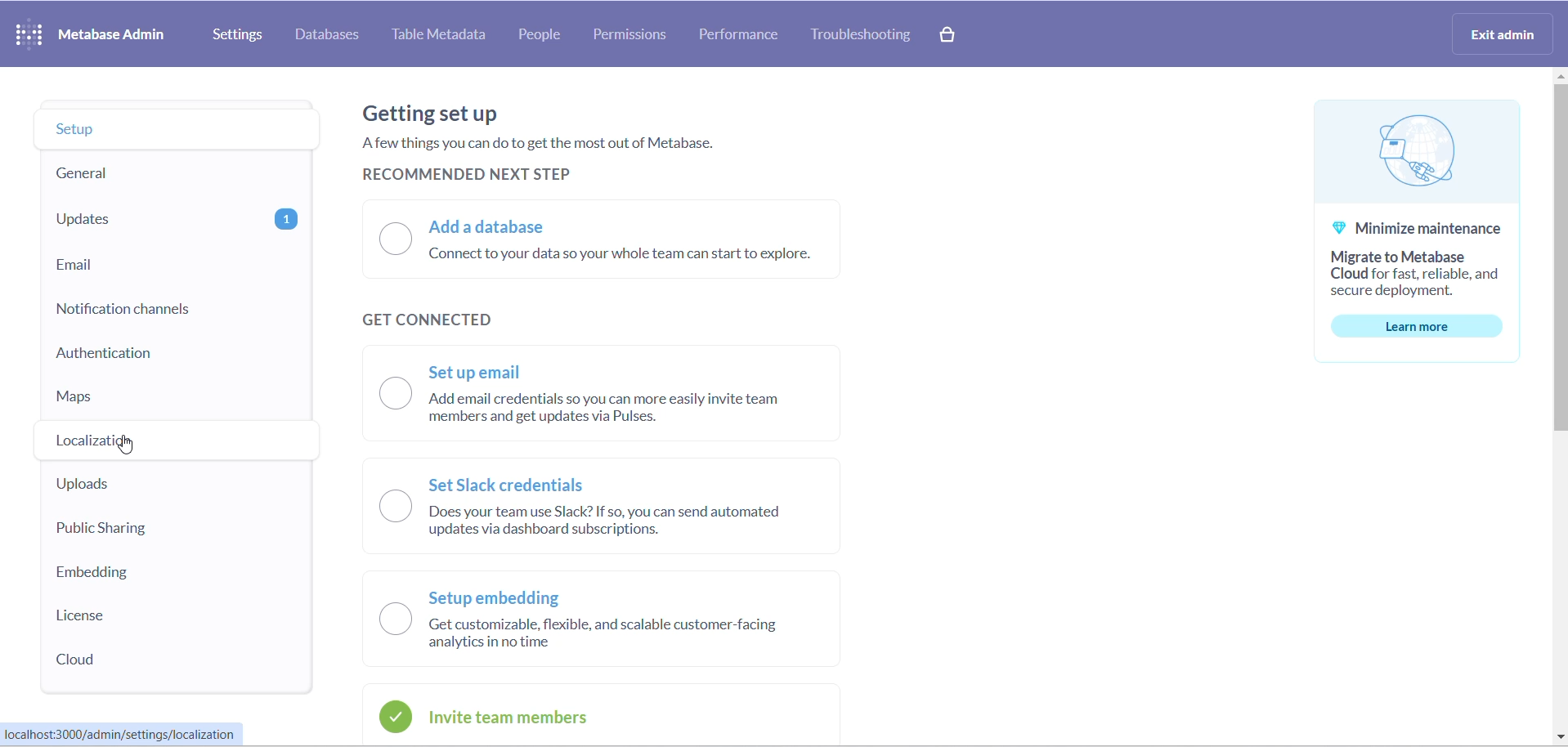  Describe the element at coordinates (173, 402) in the screenshot. I see `MAPS` at that location.